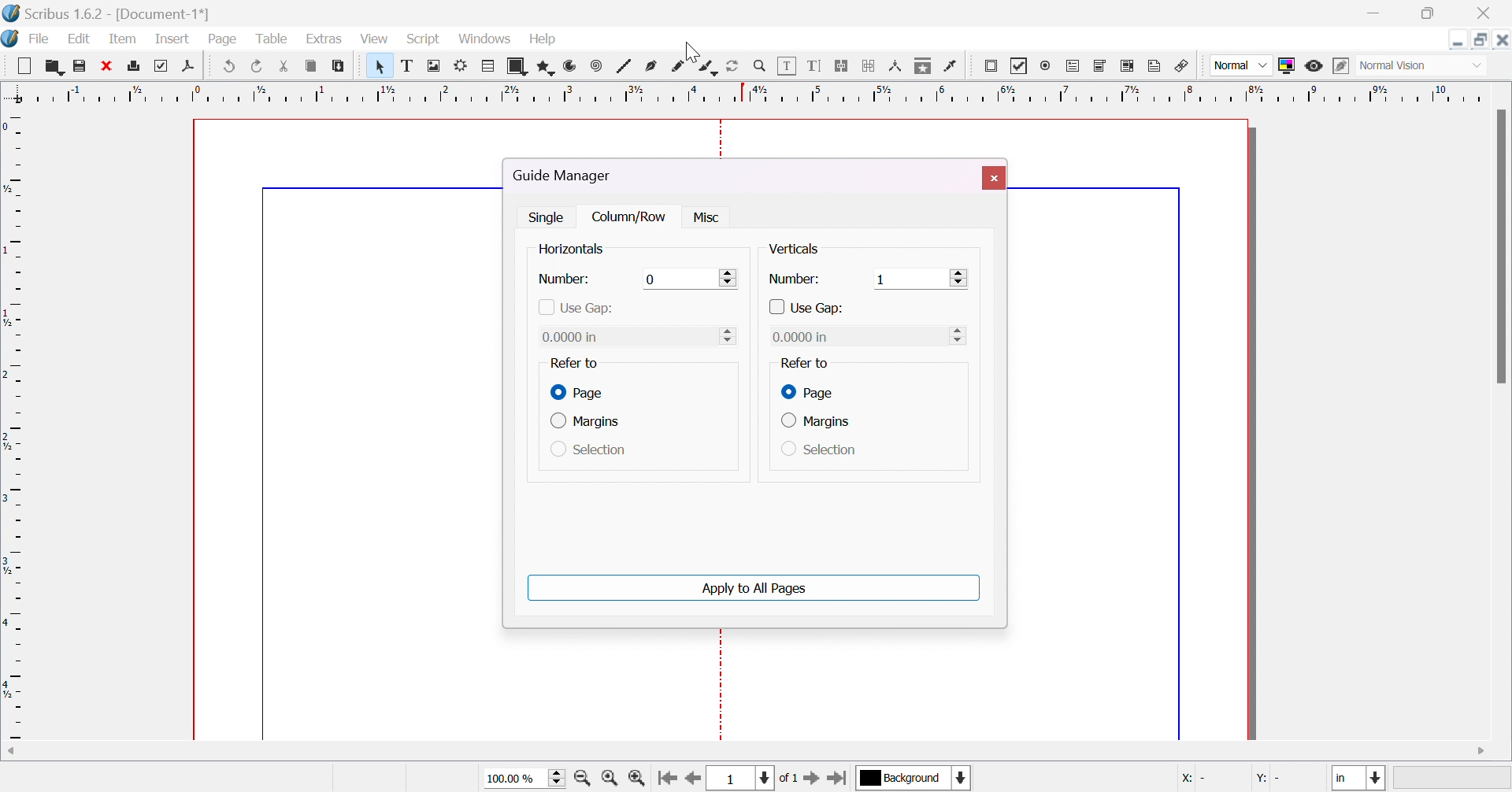 The height and width of the screenshot is (792, 1512). I want to click on , so click(653, 278).